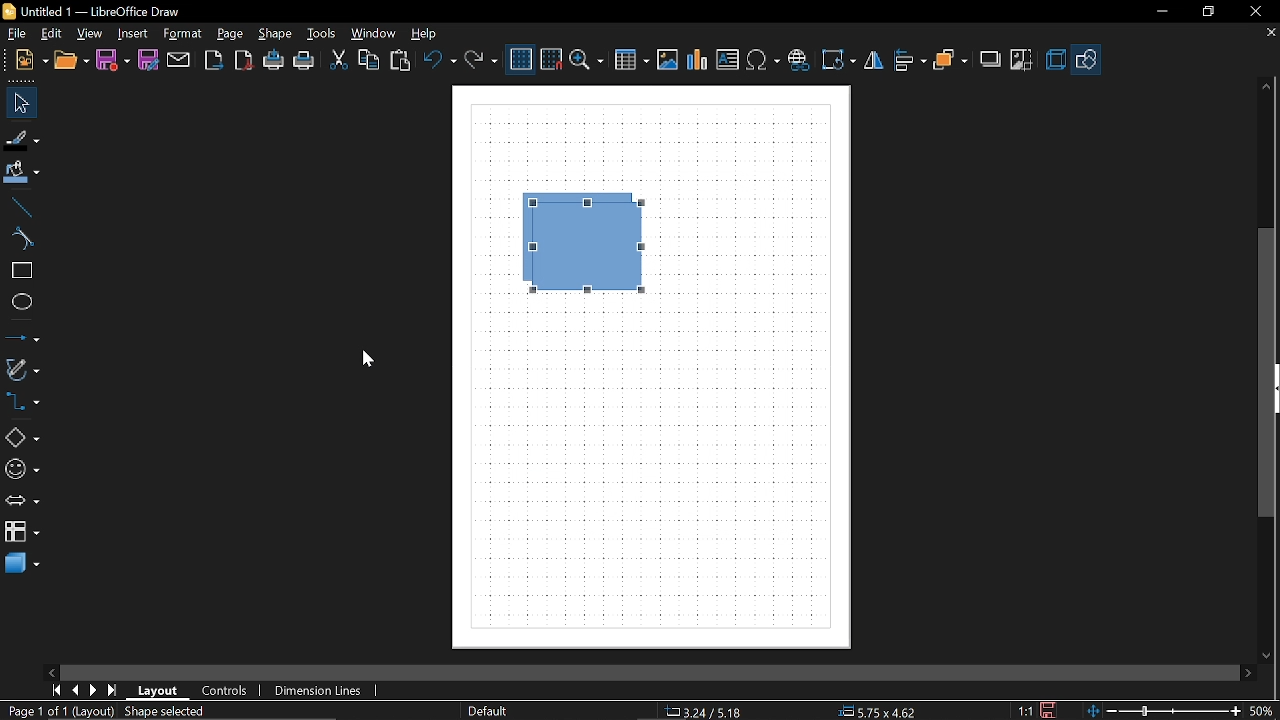 The image size is (1280, 720). Describe the element at coordinates (180, 61) in the screenshot. I see `Attach` at that location.